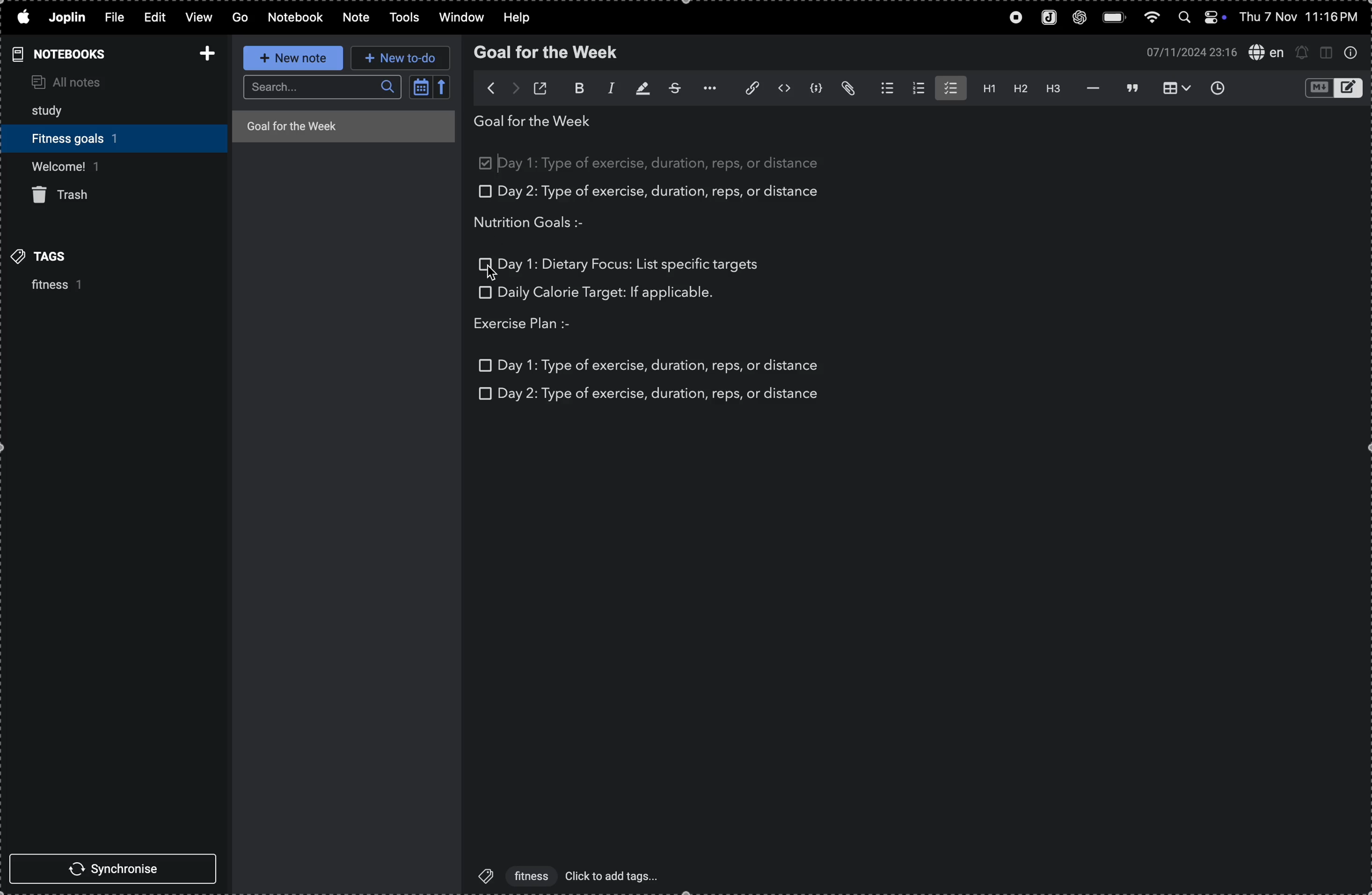 The image size is (1372, 895). What do you see at coordinates (538, 124) in the screenshot?
I see `goal for the week ` at bounding box center [538, 124].